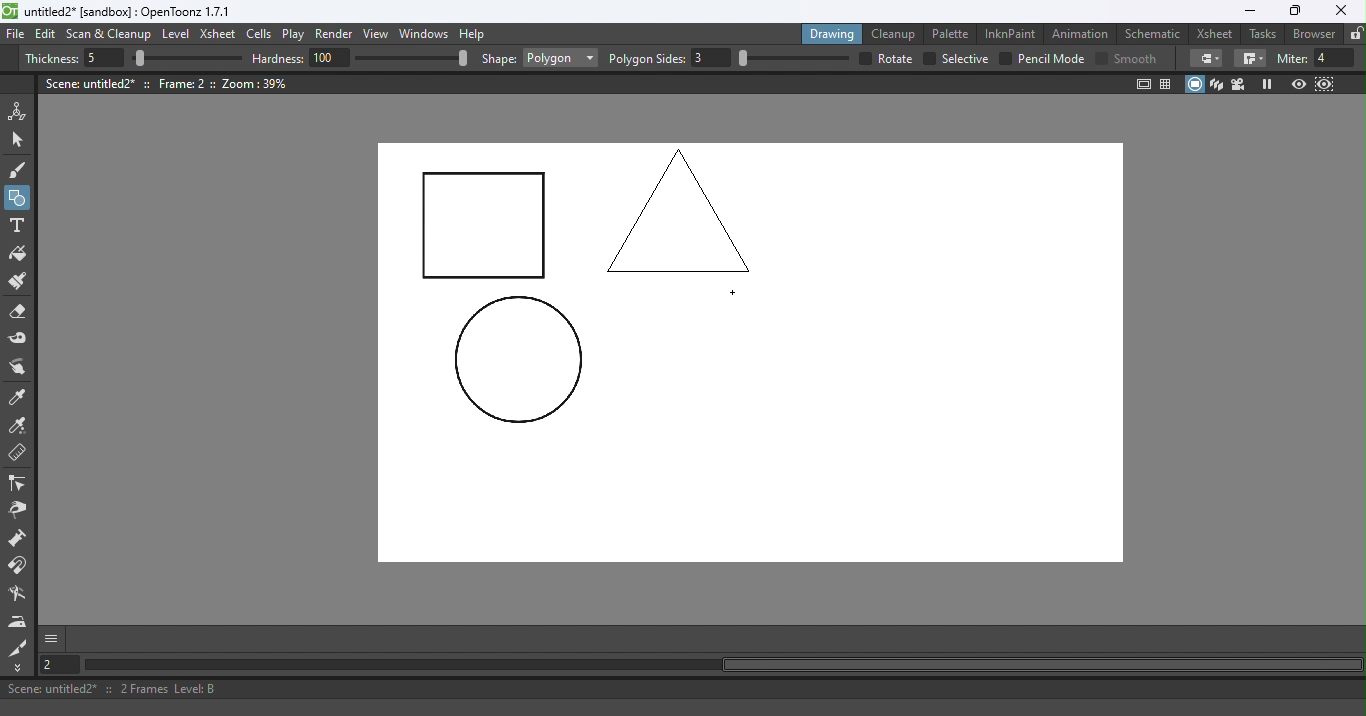  I want to click on Thickness, so click(51, 59).